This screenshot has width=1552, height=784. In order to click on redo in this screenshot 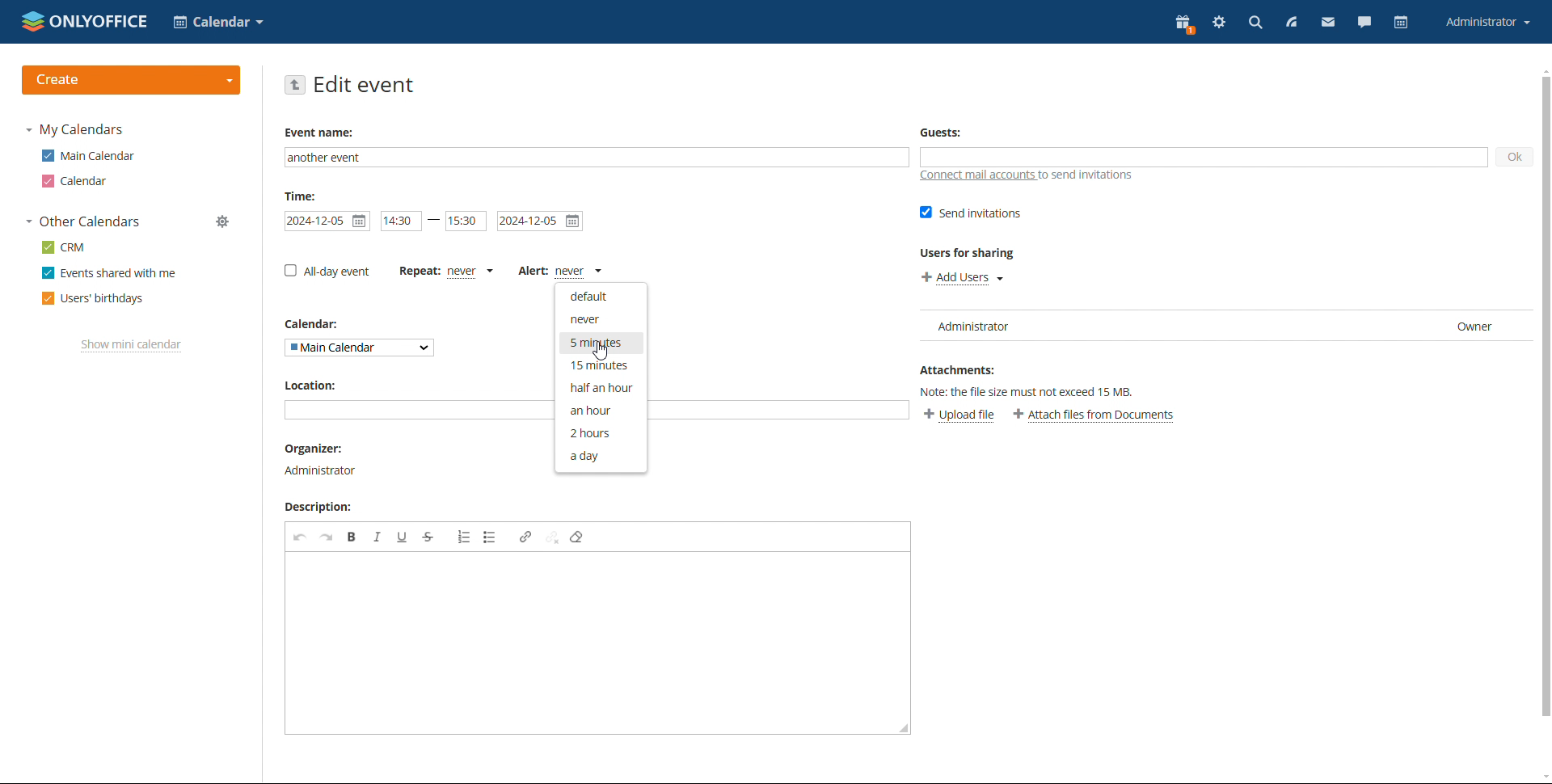, I will do `click(327, 537)`.